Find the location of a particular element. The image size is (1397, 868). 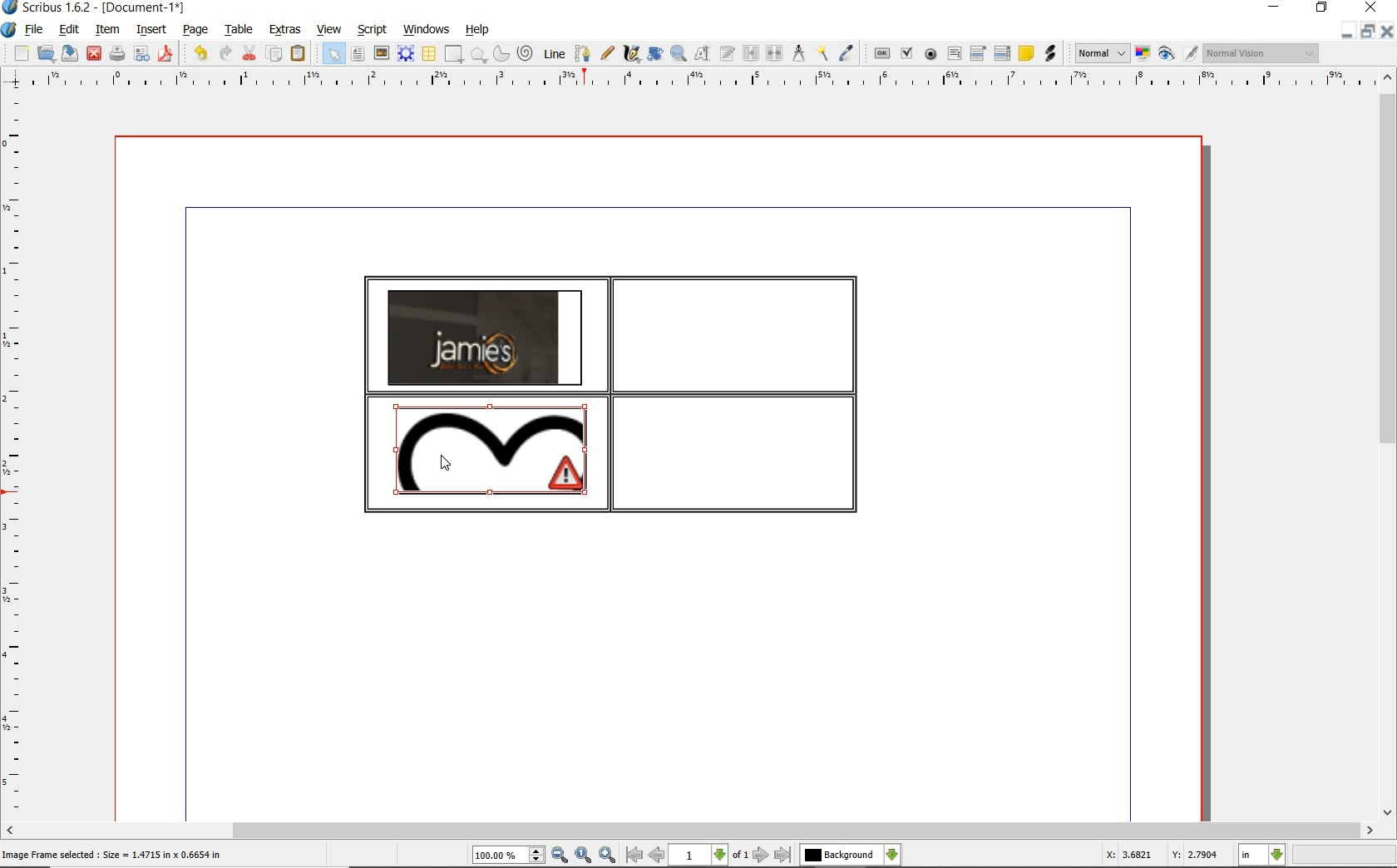

zoom in or out is located at coordinates (678, 54).